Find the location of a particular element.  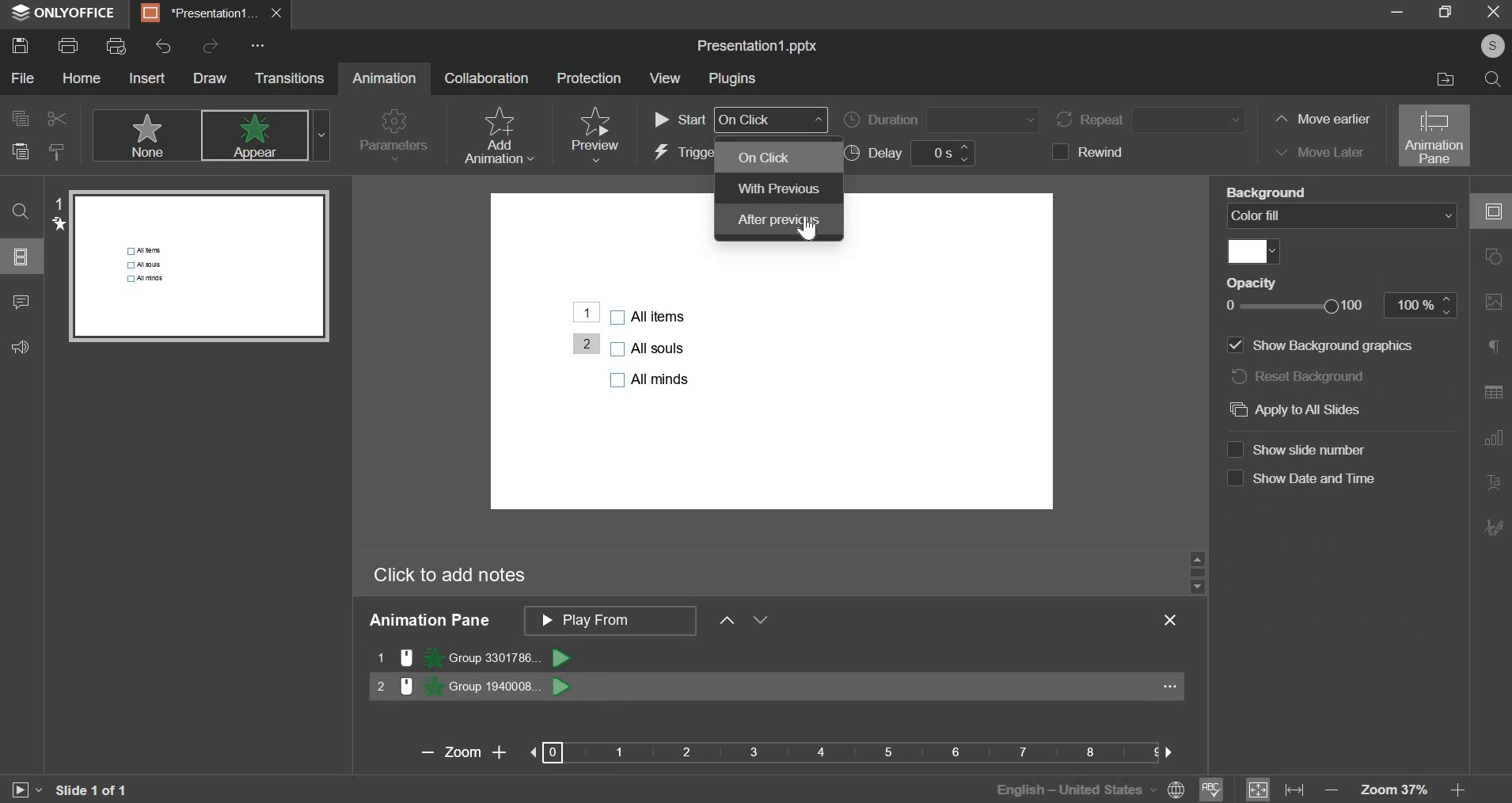

plugins is located at coordinates (731, 79).